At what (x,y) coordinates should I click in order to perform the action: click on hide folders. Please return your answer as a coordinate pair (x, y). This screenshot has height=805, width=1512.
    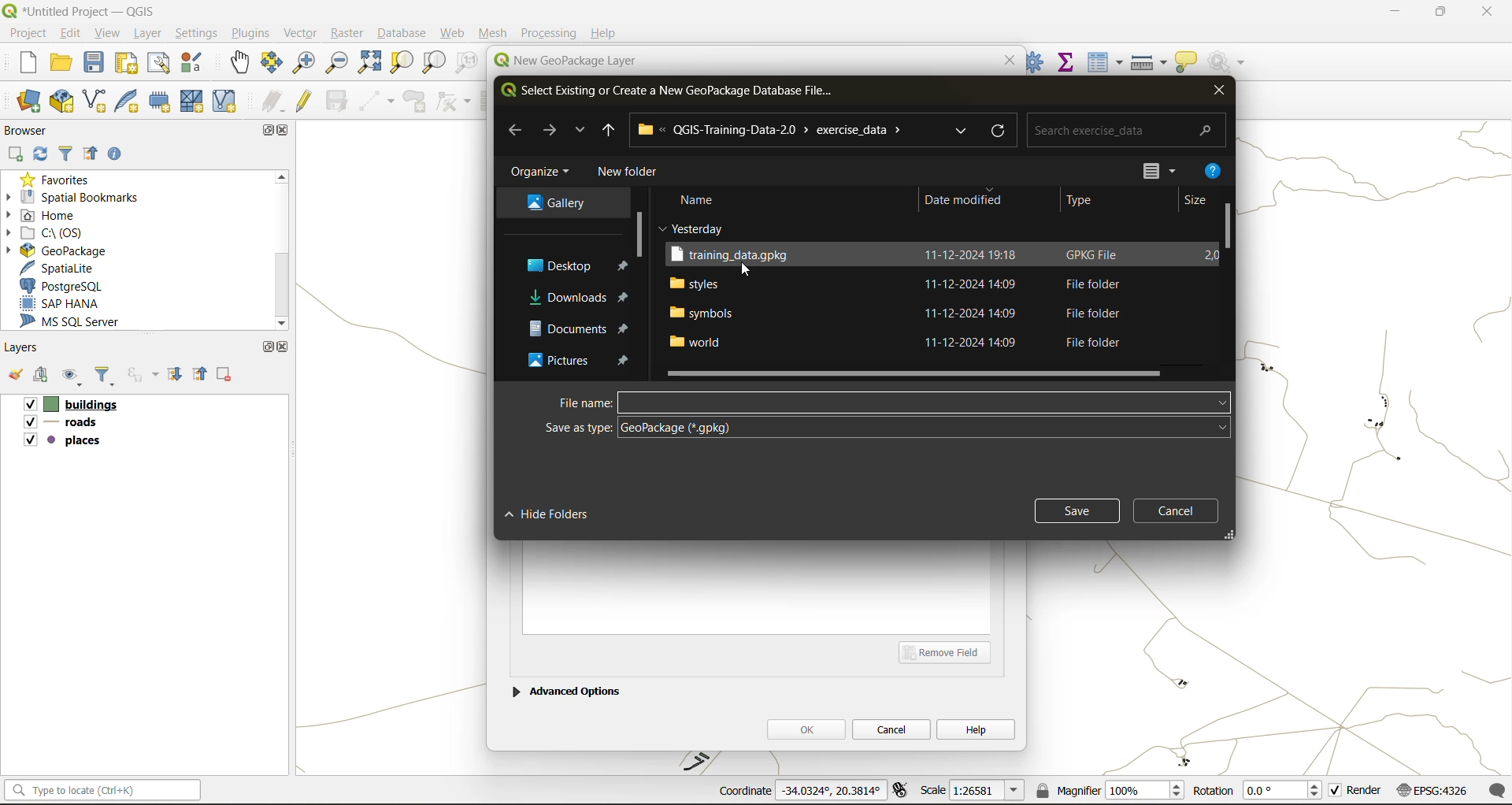
    Looking at the image, I should click on (553, 514).